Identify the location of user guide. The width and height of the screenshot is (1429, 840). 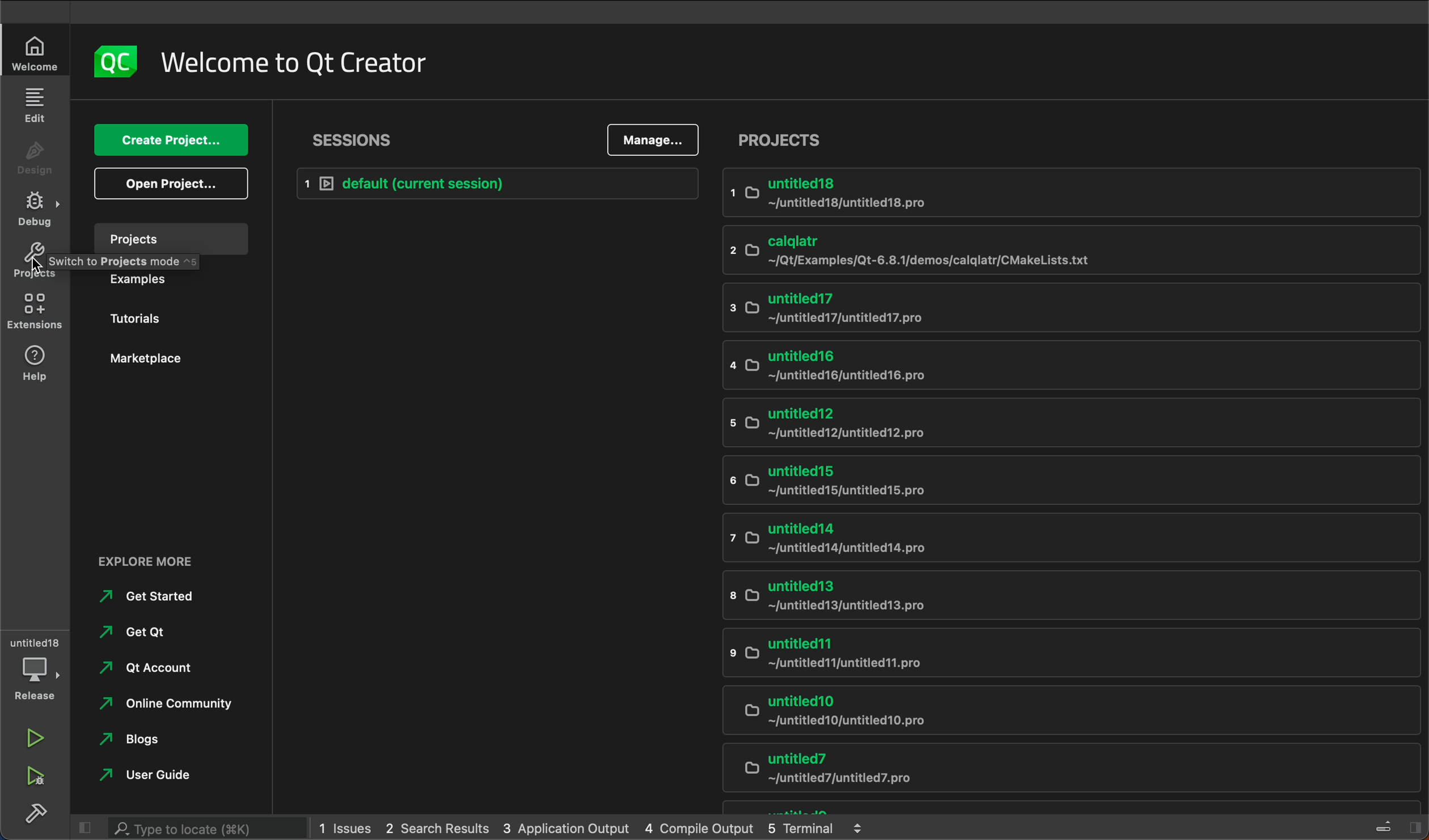
(153, 775).